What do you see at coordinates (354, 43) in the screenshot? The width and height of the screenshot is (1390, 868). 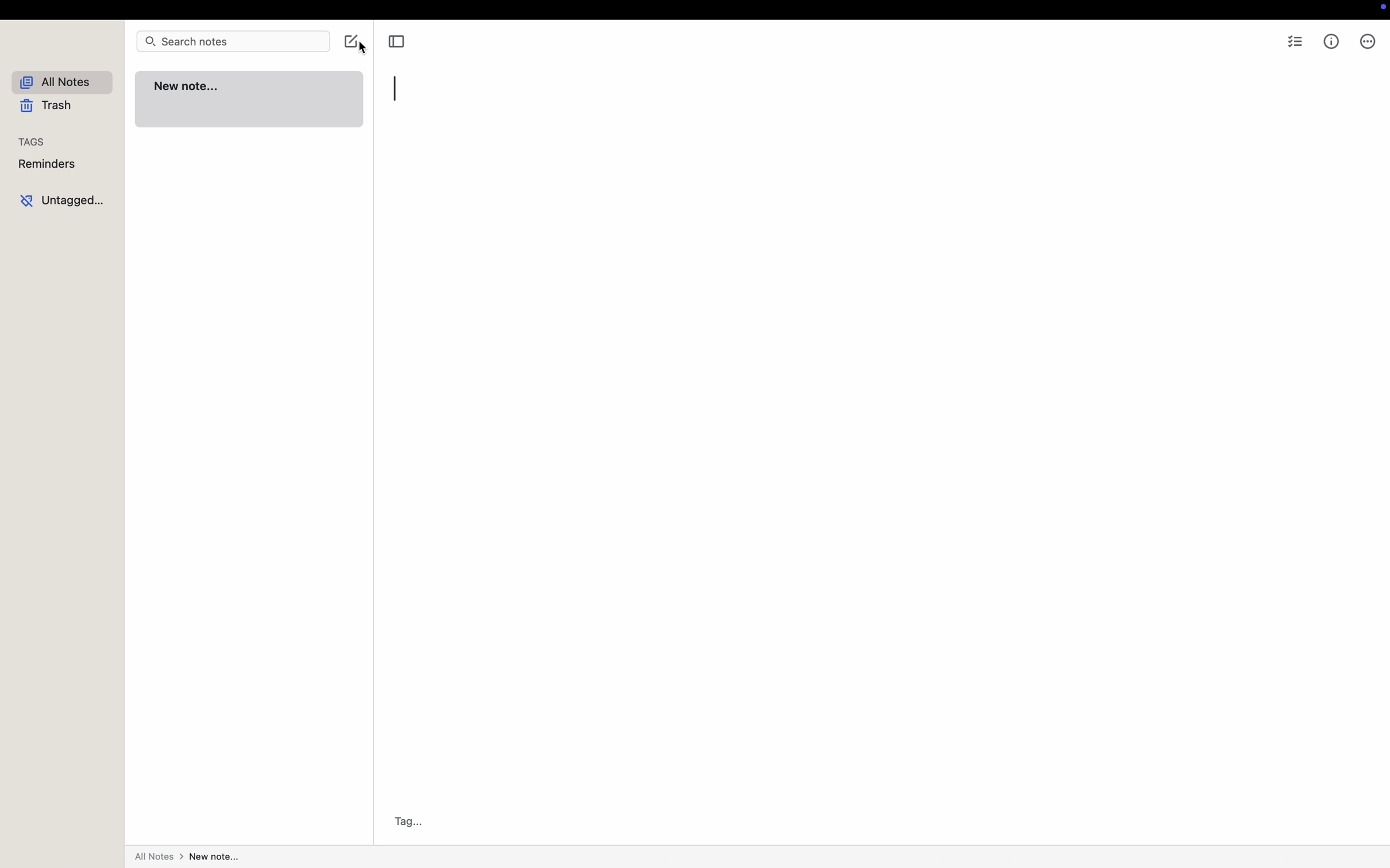 I see `click on create note` at bounding box center [354, 43].